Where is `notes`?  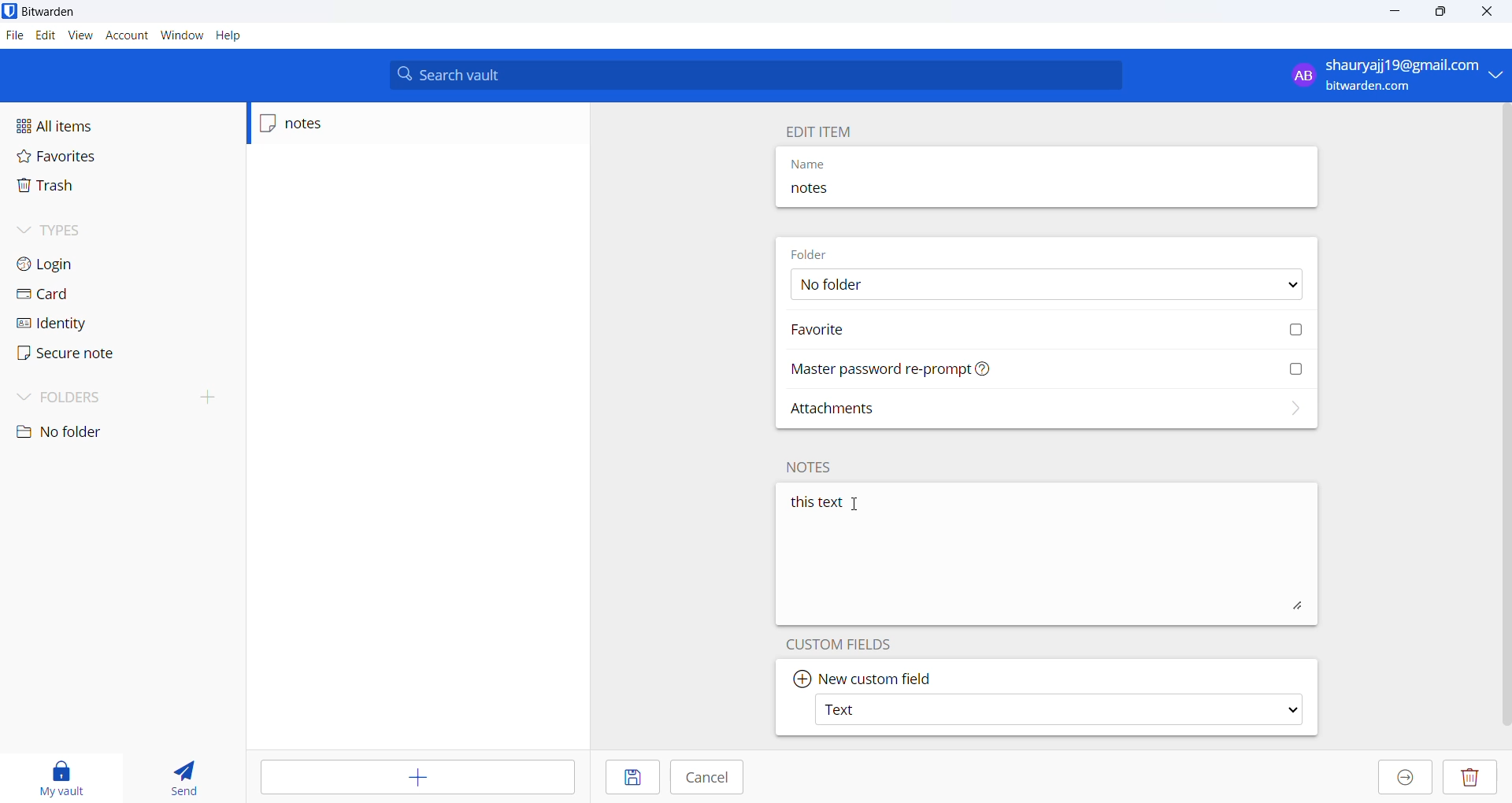
notes is located at coordinates (328, 124).